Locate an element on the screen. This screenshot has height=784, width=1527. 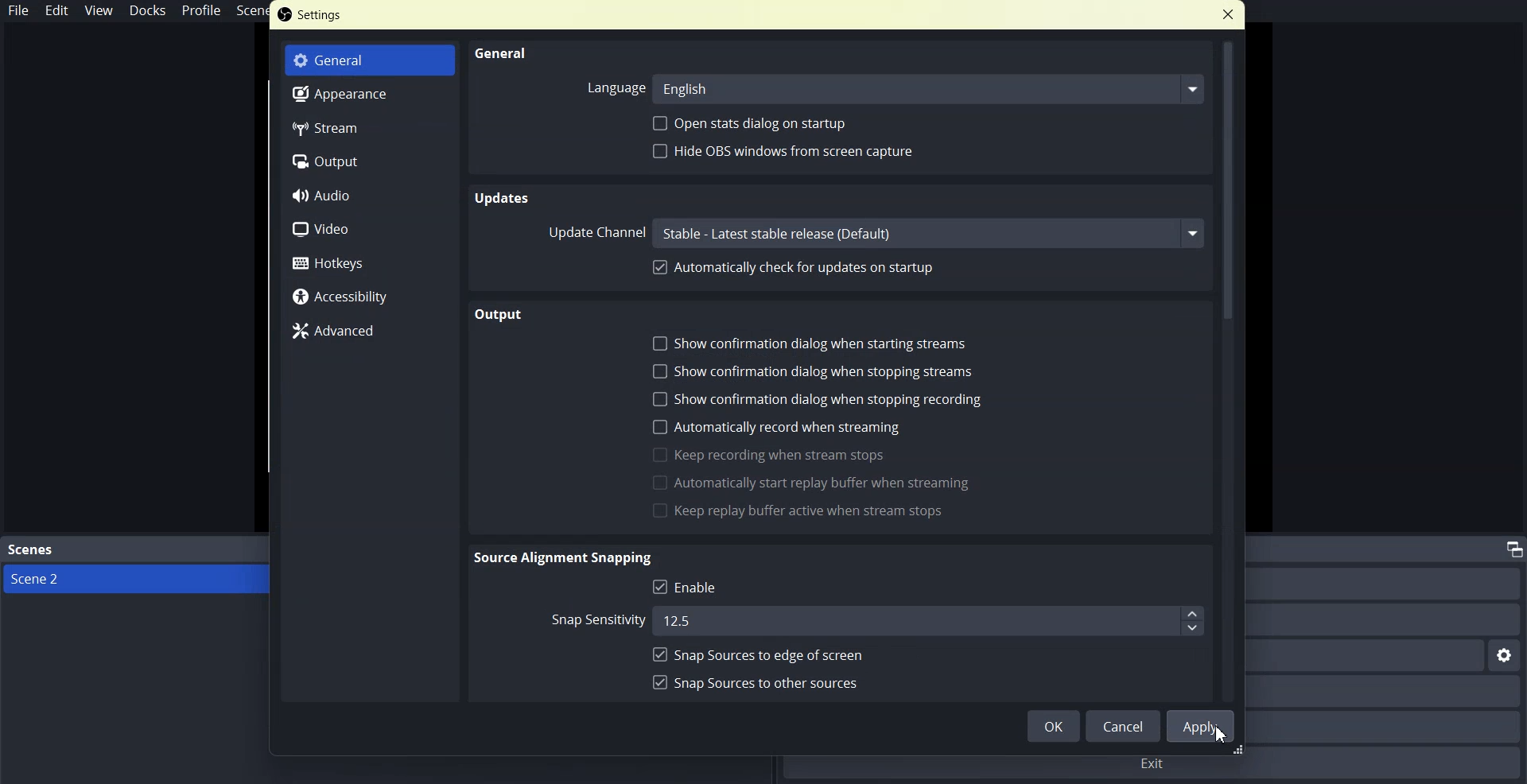
Automatically check for updates on startup is located at coordinates (793, 266).